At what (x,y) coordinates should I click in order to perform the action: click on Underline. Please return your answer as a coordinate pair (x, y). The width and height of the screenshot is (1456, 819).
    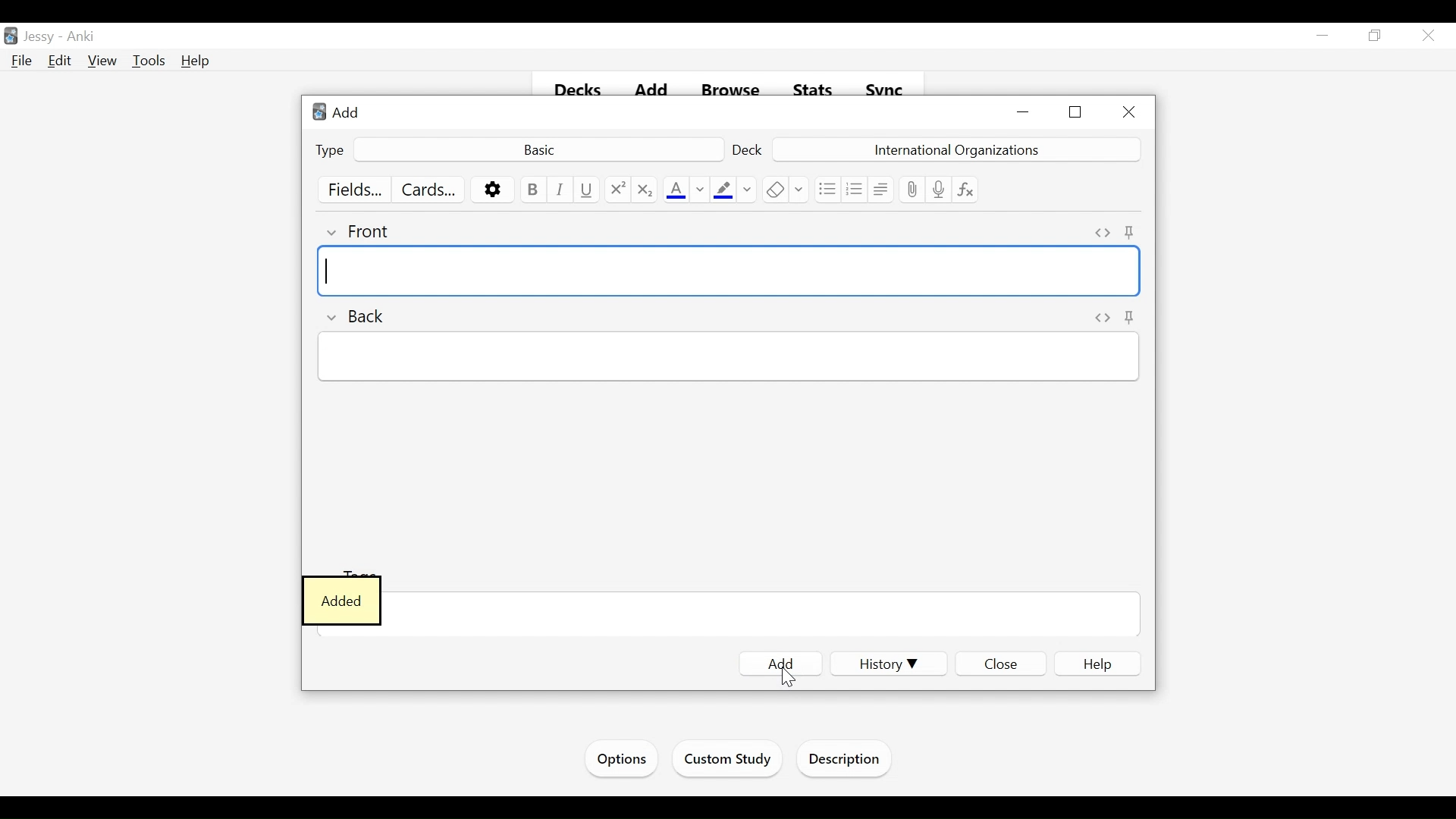
    Looking at the image, I should click on (588, 190).